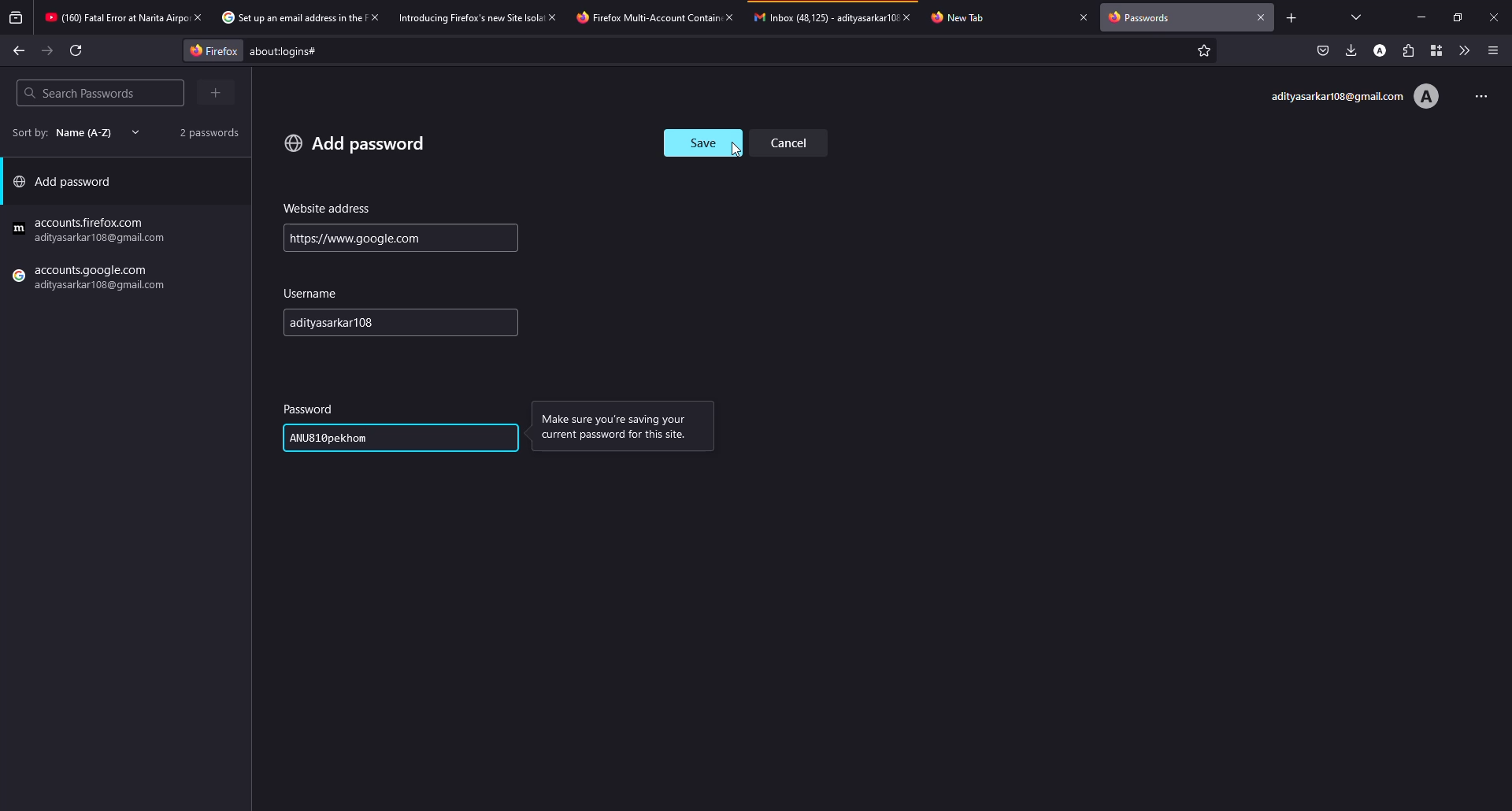 This screenshot has height=811, width=1512. I want to click on tab, so click(113, 19).